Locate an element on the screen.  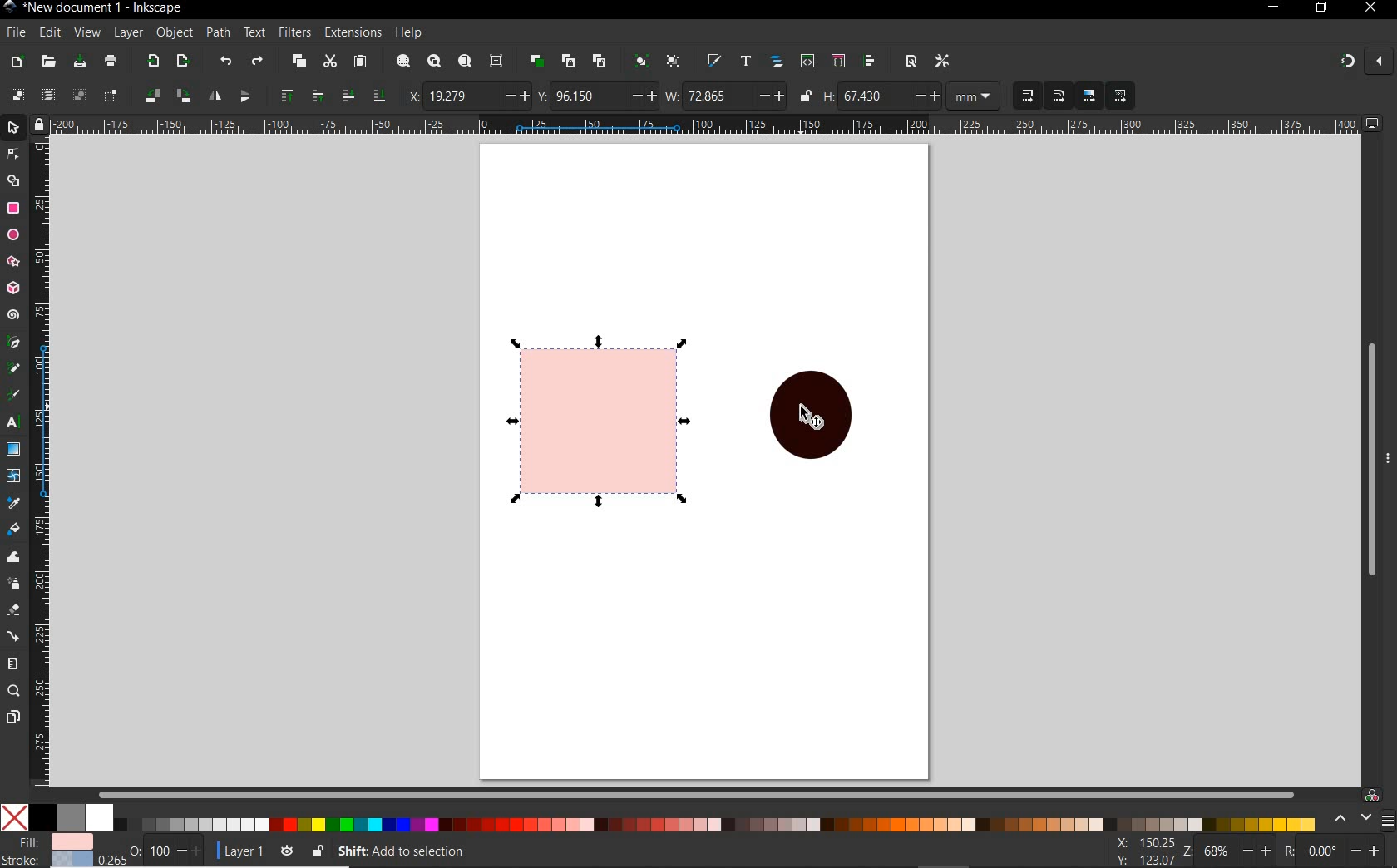
horizontal coordinate of selection is located at coordinates (468, 96).